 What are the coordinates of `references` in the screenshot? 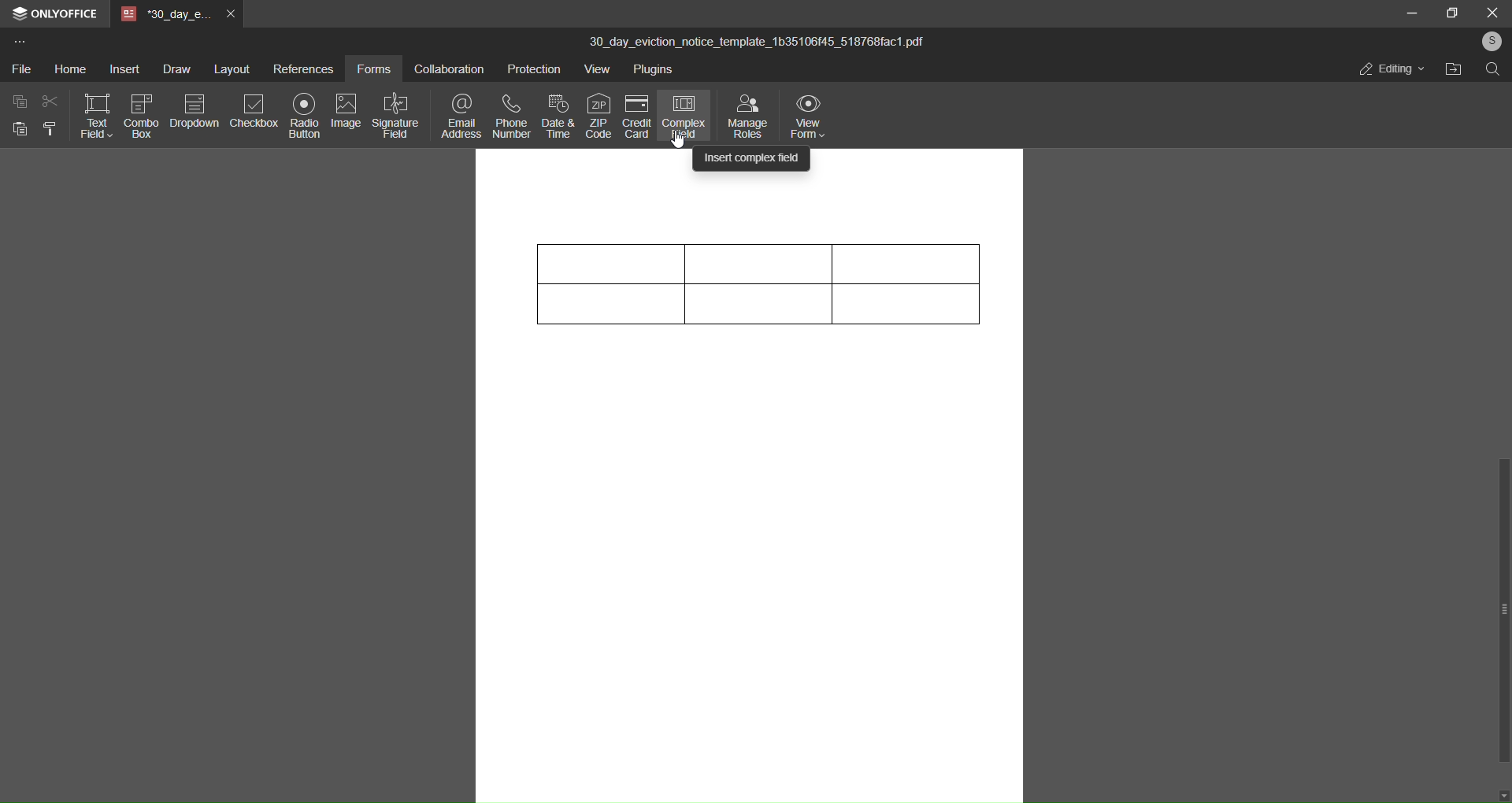 It's located at (301, 72).